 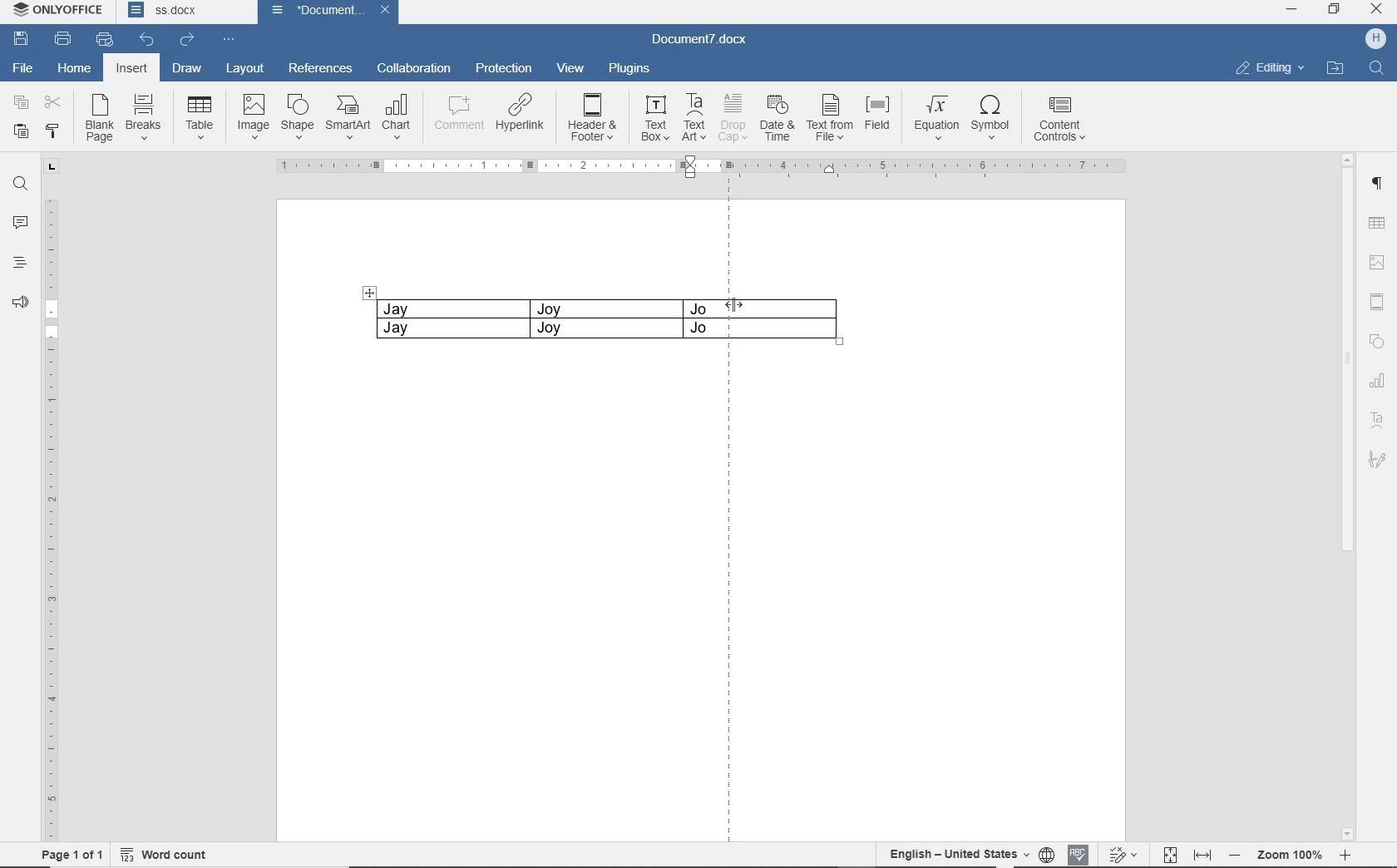 What do you see at coordinates (783, 332) in the screenshot?
I see `COLUMN RESIZE IN PROGRESS` at bounding box center [783, 332].